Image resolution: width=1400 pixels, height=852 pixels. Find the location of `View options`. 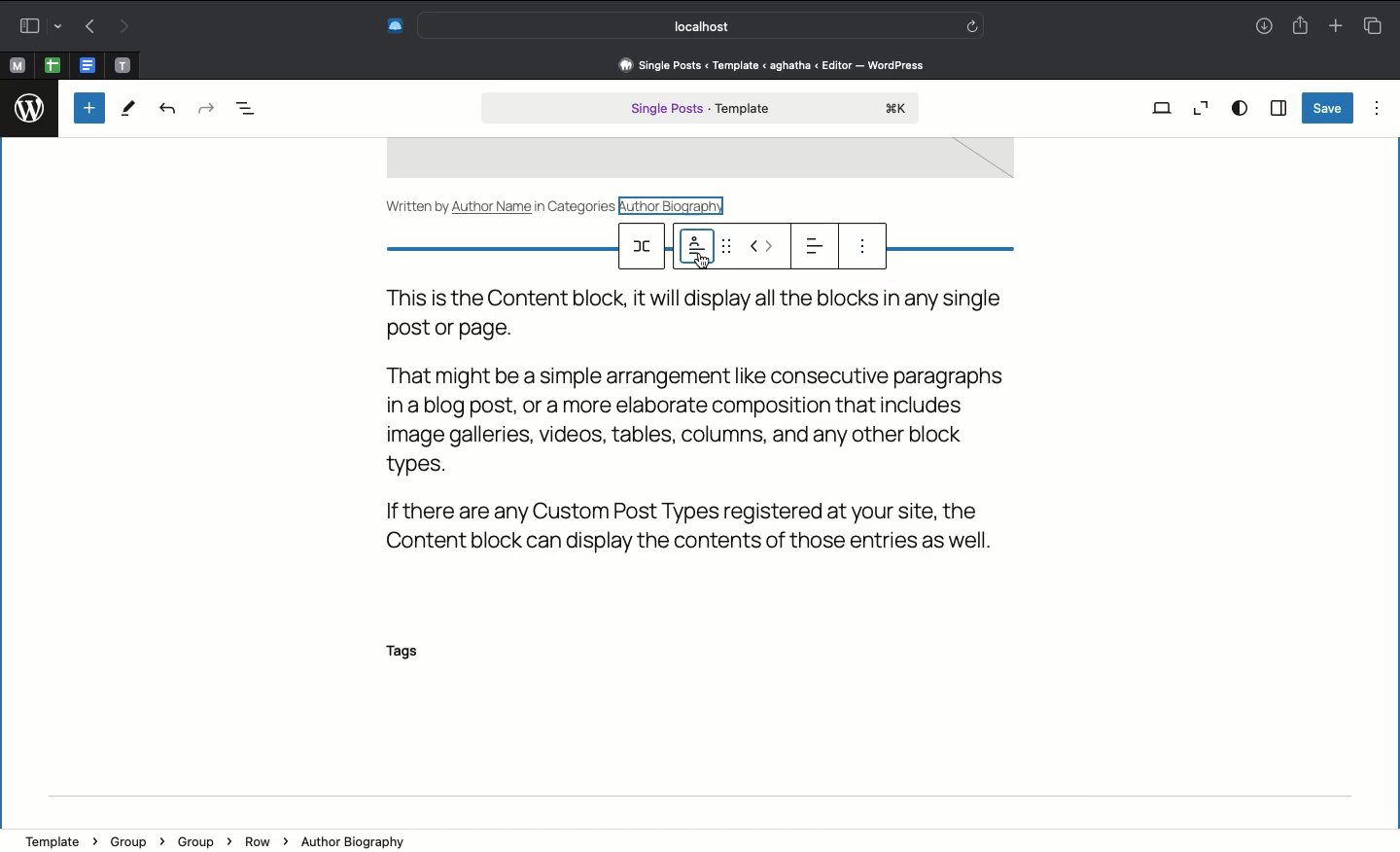

View options is located at coordinates (1240, 107).